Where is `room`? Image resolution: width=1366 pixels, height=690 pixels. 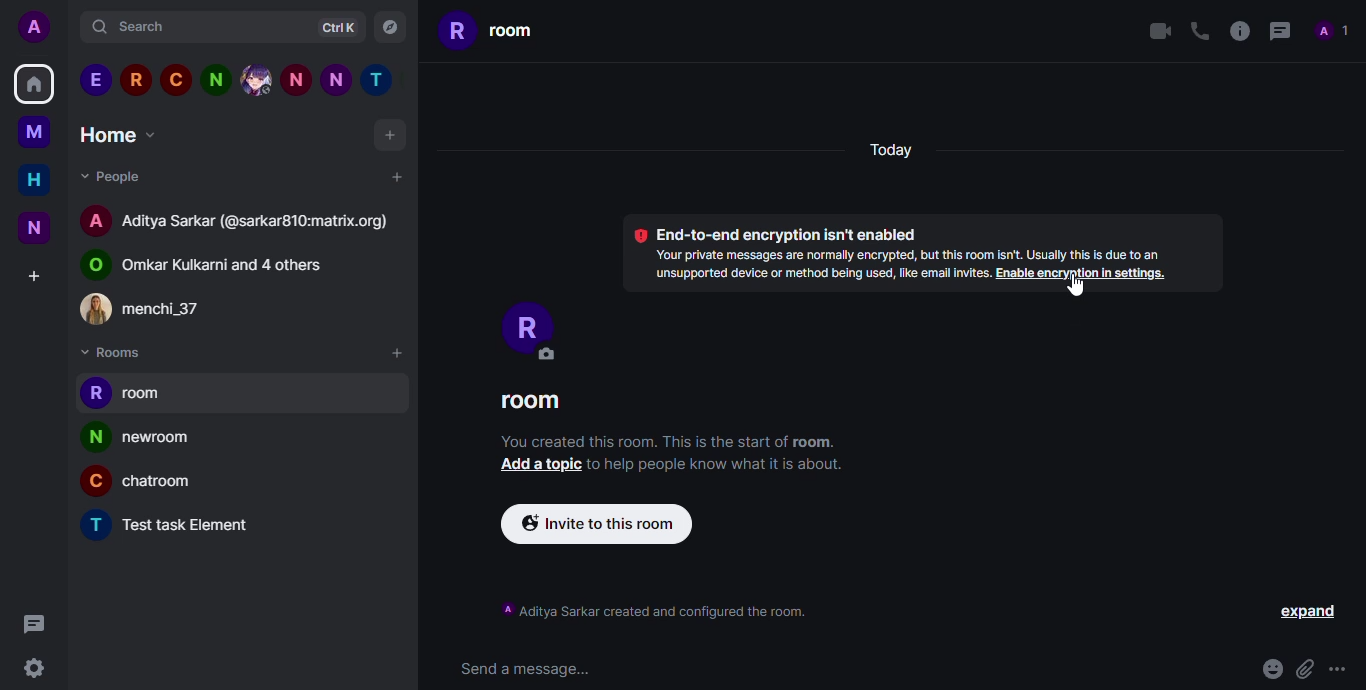 room is located at coordinates (197, 526).